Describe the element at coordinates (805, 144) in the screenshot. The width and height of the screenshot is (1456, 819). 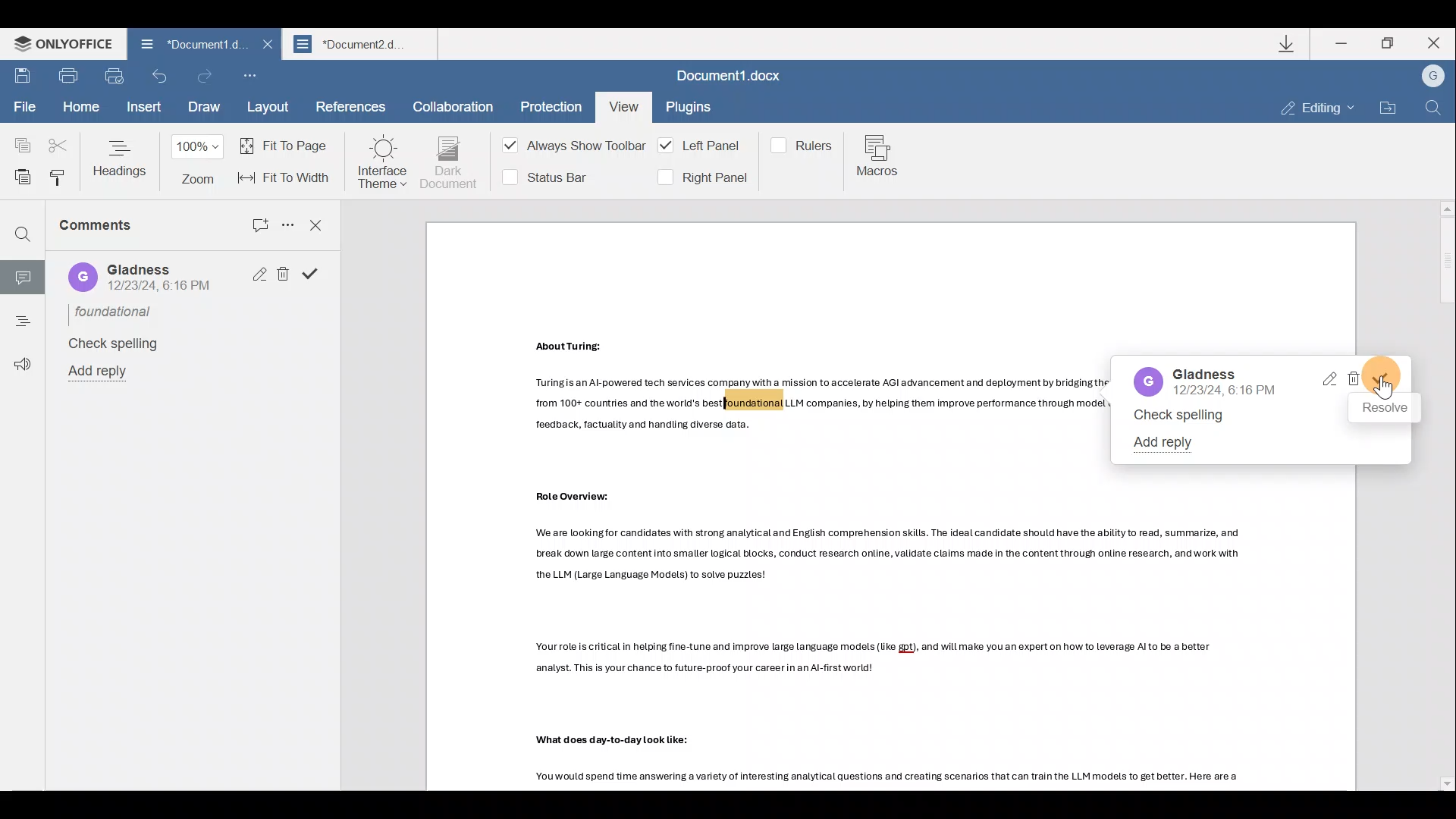
I see `Rulers` at that location.